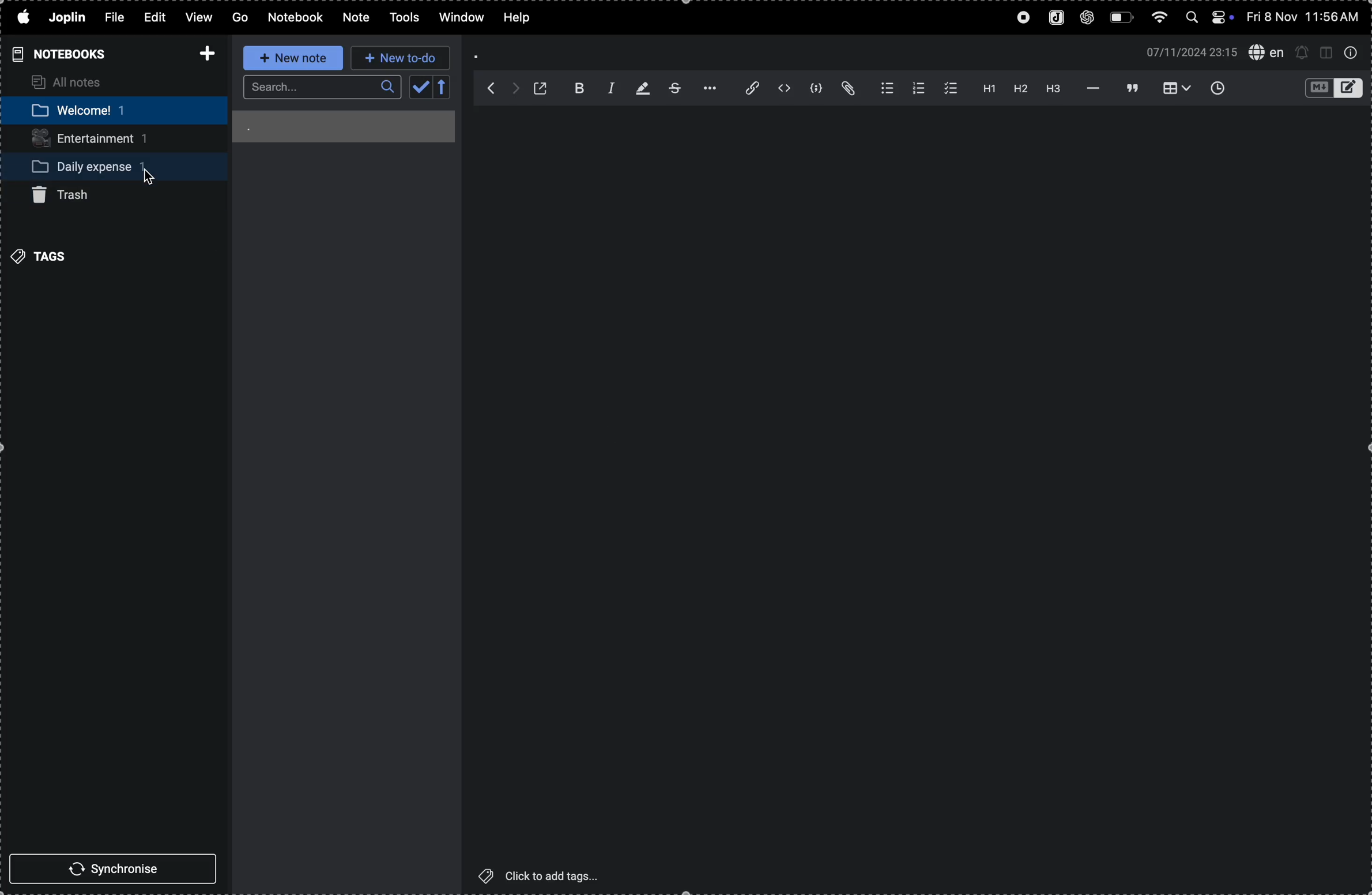 The width and height of the screenshot is (1372, 895). What do you see at coordinates (1019, 18) in the screenshot?
I see `record` at bounding box center [1019, 18].